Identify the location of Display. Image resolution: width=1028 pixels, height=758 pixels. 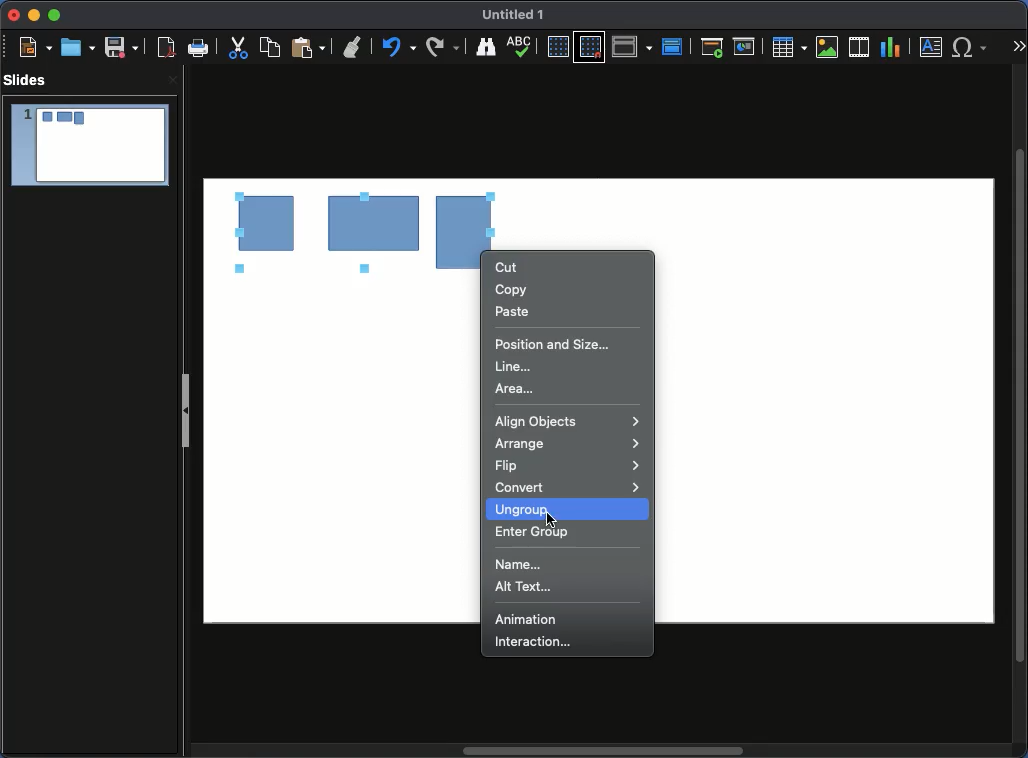
(524, 48).